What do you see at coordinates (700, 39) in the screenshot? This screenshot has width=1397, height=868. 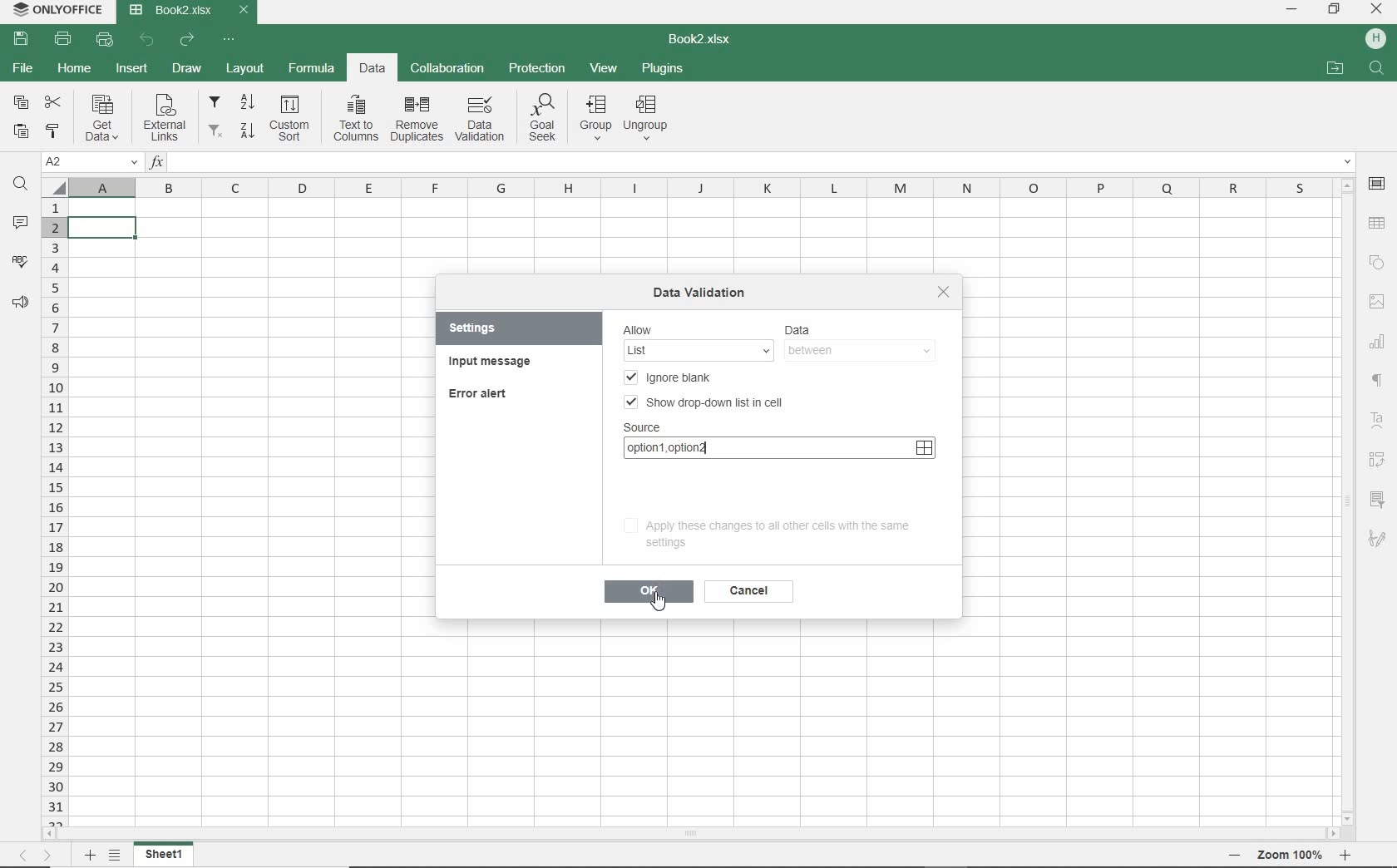 I see `DOCUMENT NAME` at bounding box center [700, 39].